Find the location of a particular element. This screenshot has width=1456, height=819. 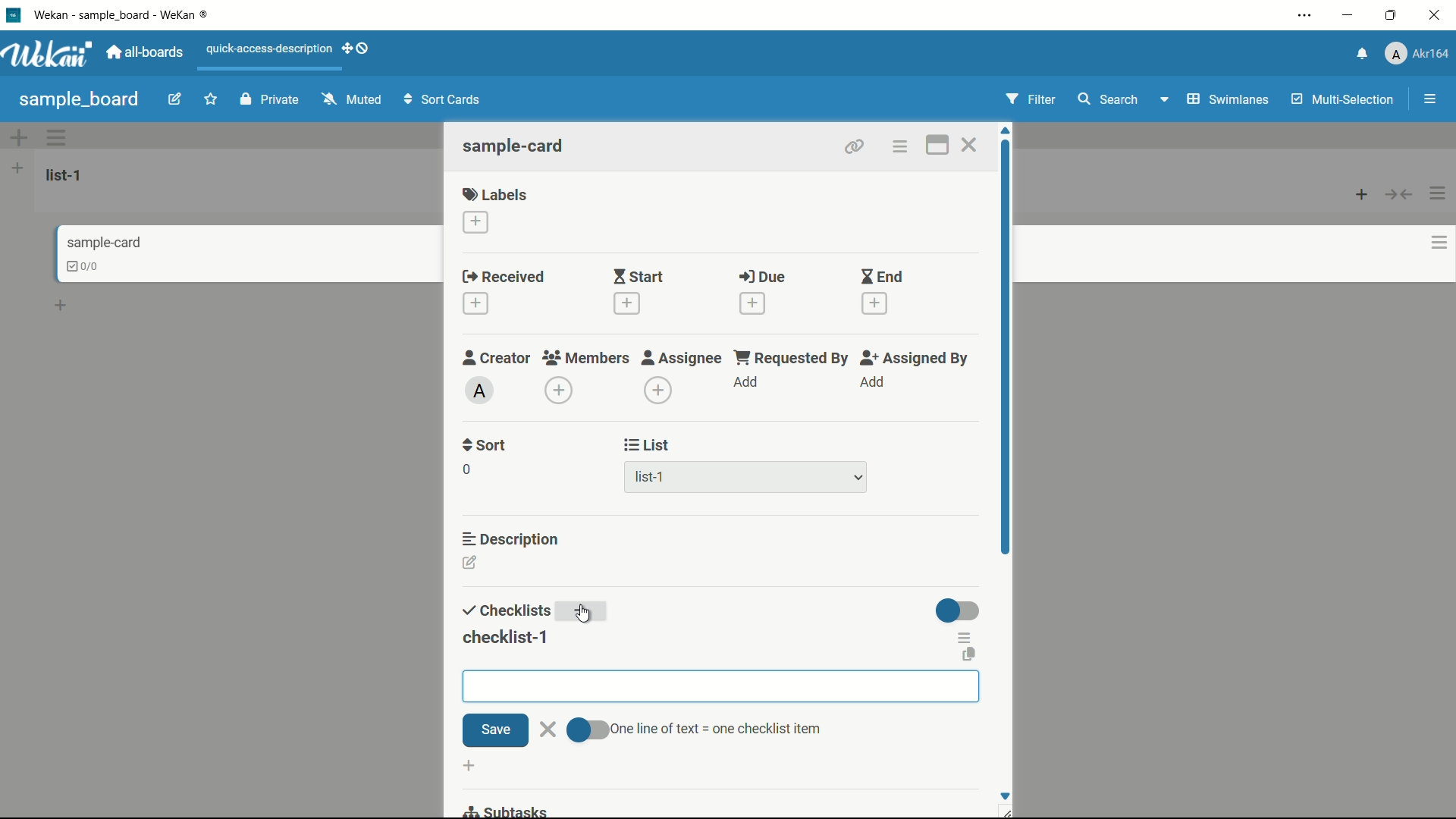

copy link to clipboard is located at coordinates (852, 146).